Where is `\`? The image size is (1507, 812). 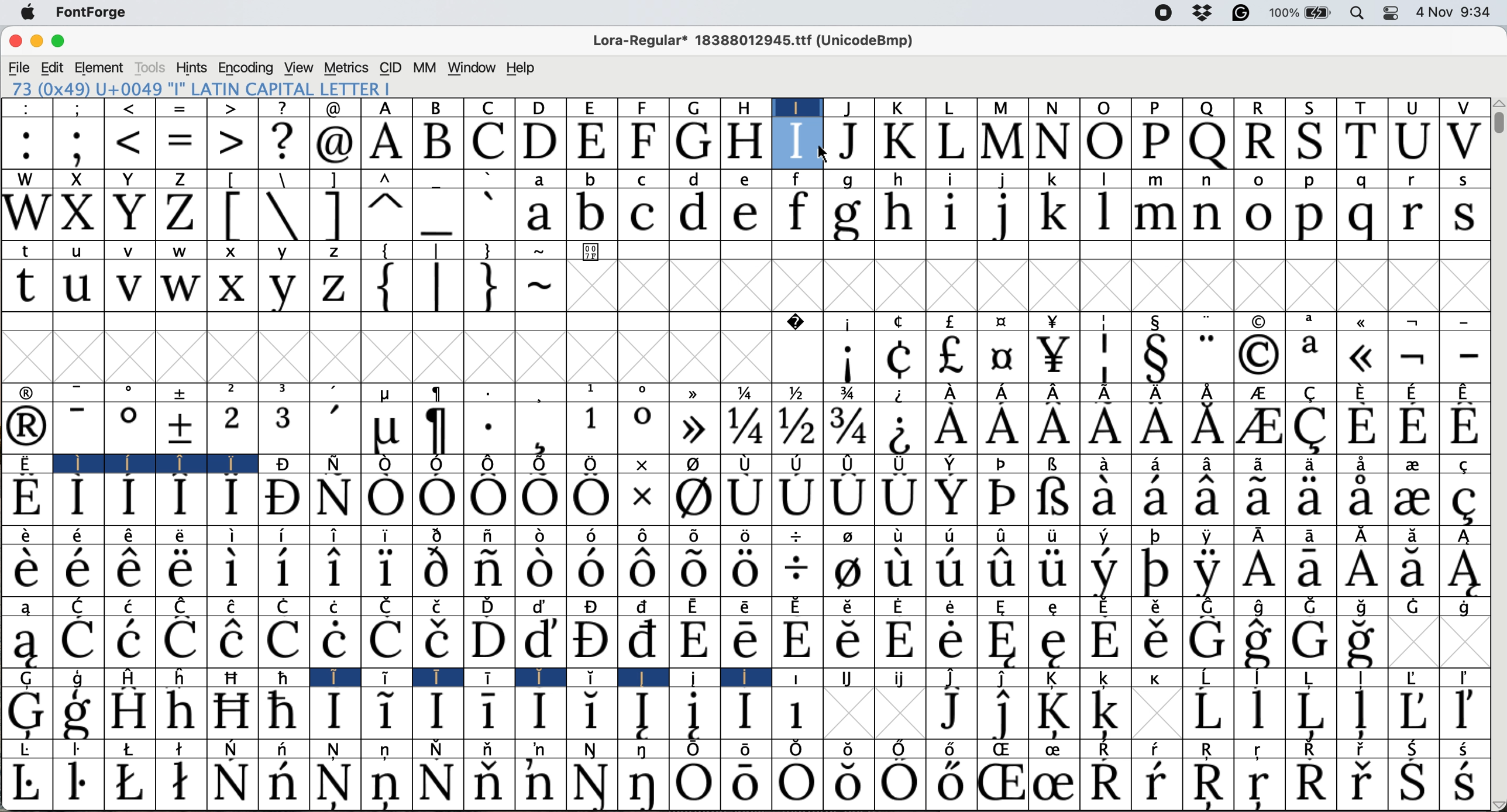
\ is located at coordinates (284, 215).